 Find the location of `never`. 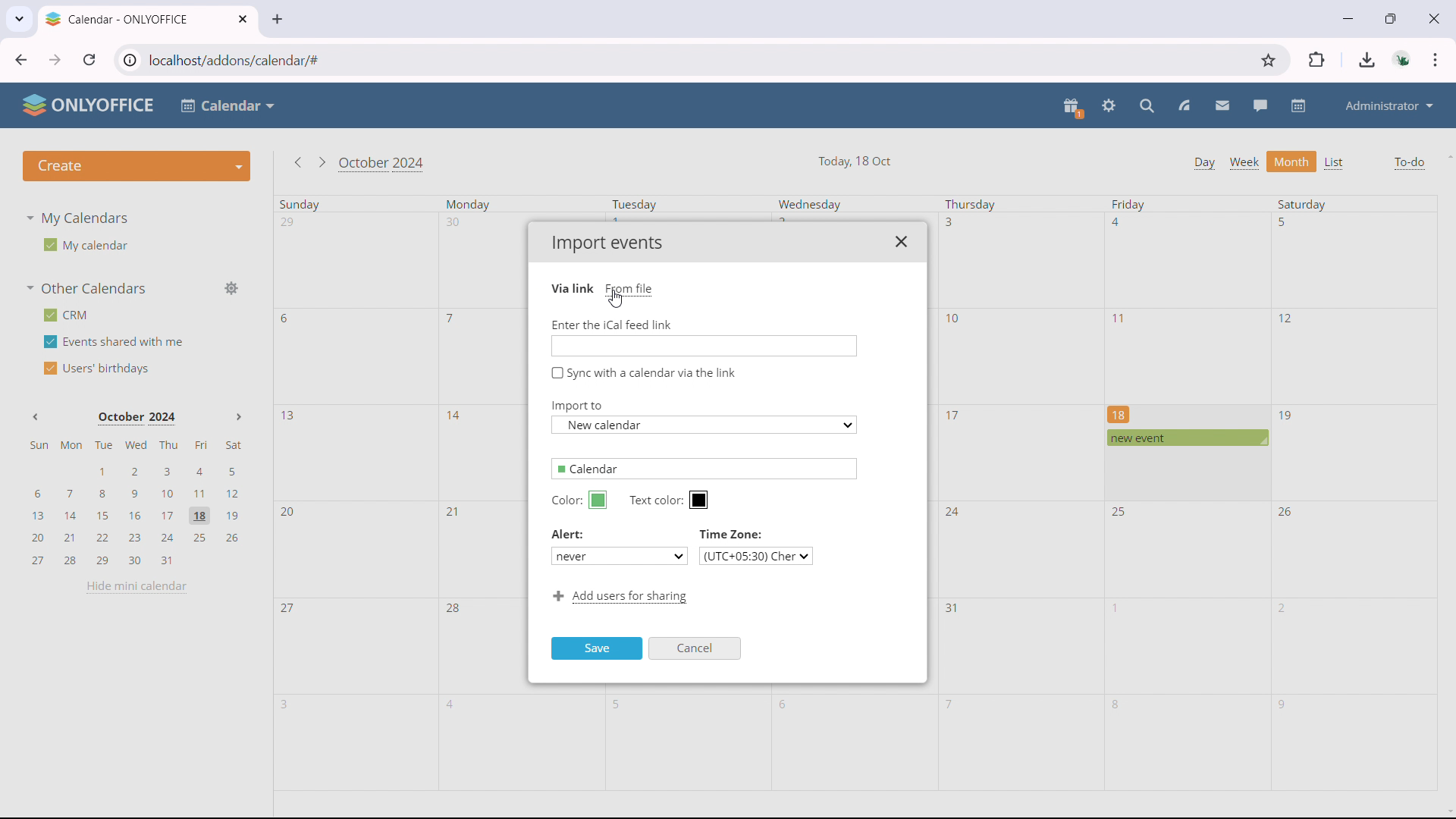

never is located at coordinates (621, 557).